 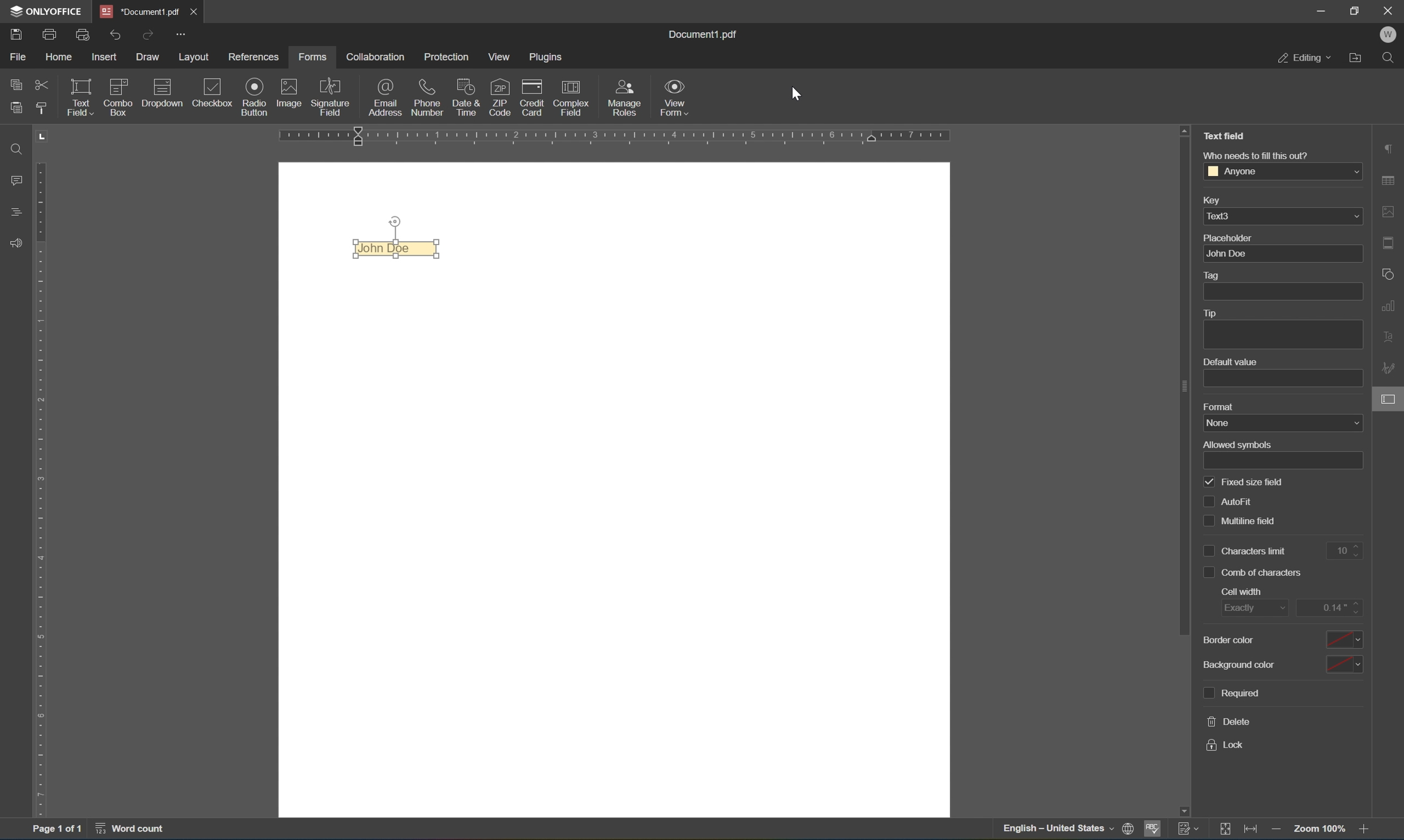 What do you see at coordinates (450, 57) in the screenshot?
I see `protection` at bounding box center [450, 57].